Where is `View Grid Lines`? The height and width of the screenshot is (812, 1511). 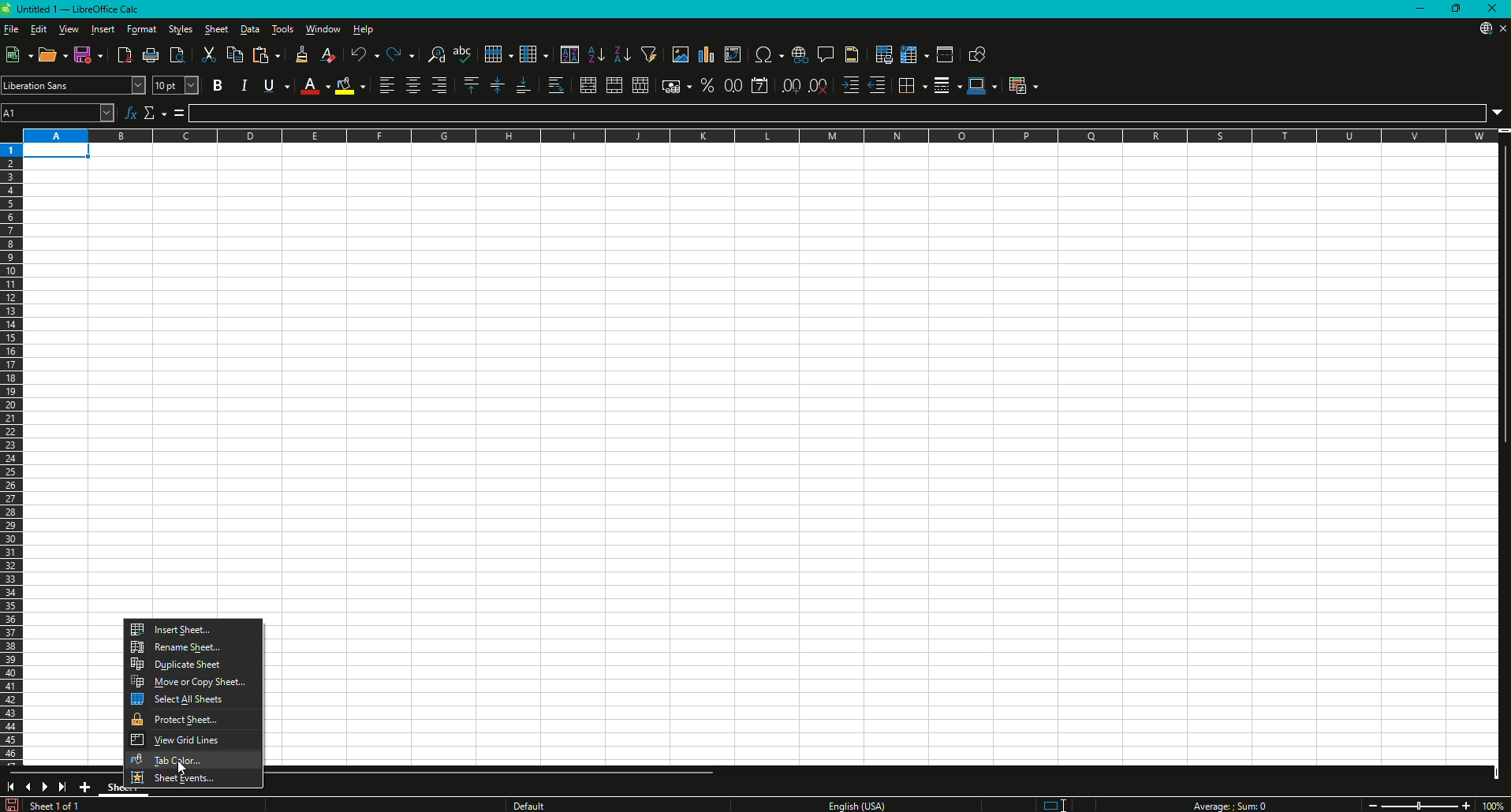 View Grid Lines is located at coordinates (192, 739).